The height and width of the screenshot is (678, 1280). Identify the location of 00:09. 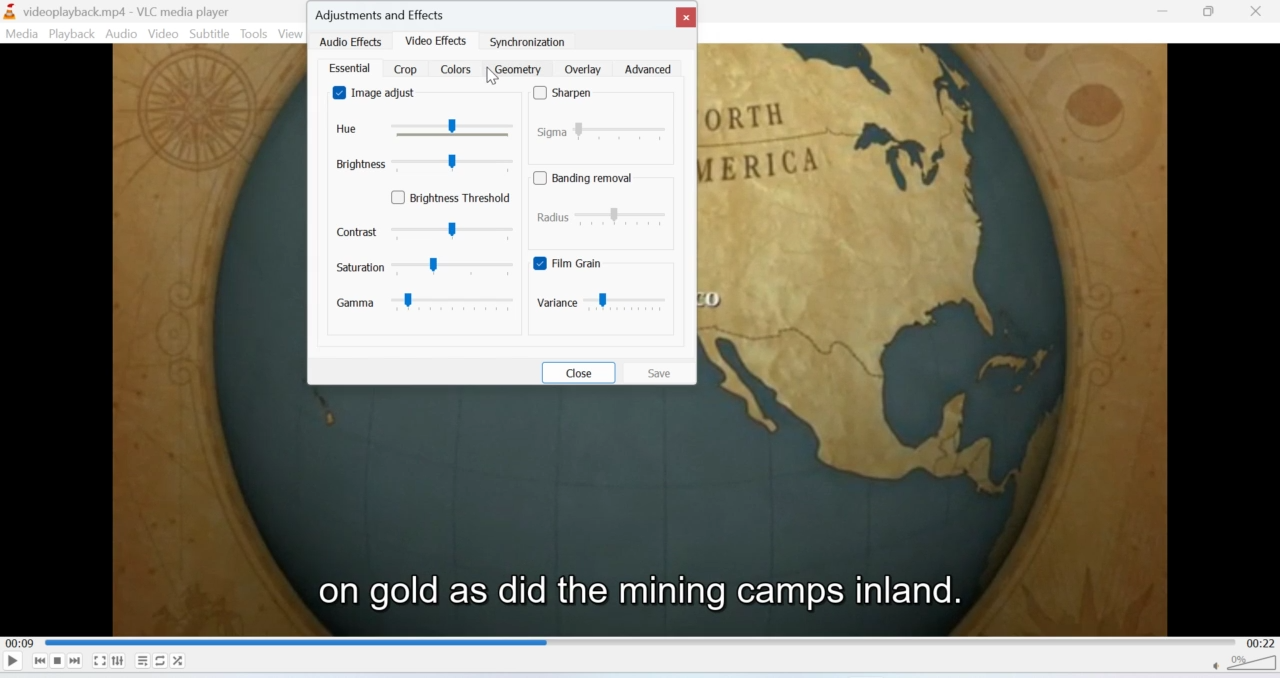
(18, 644).